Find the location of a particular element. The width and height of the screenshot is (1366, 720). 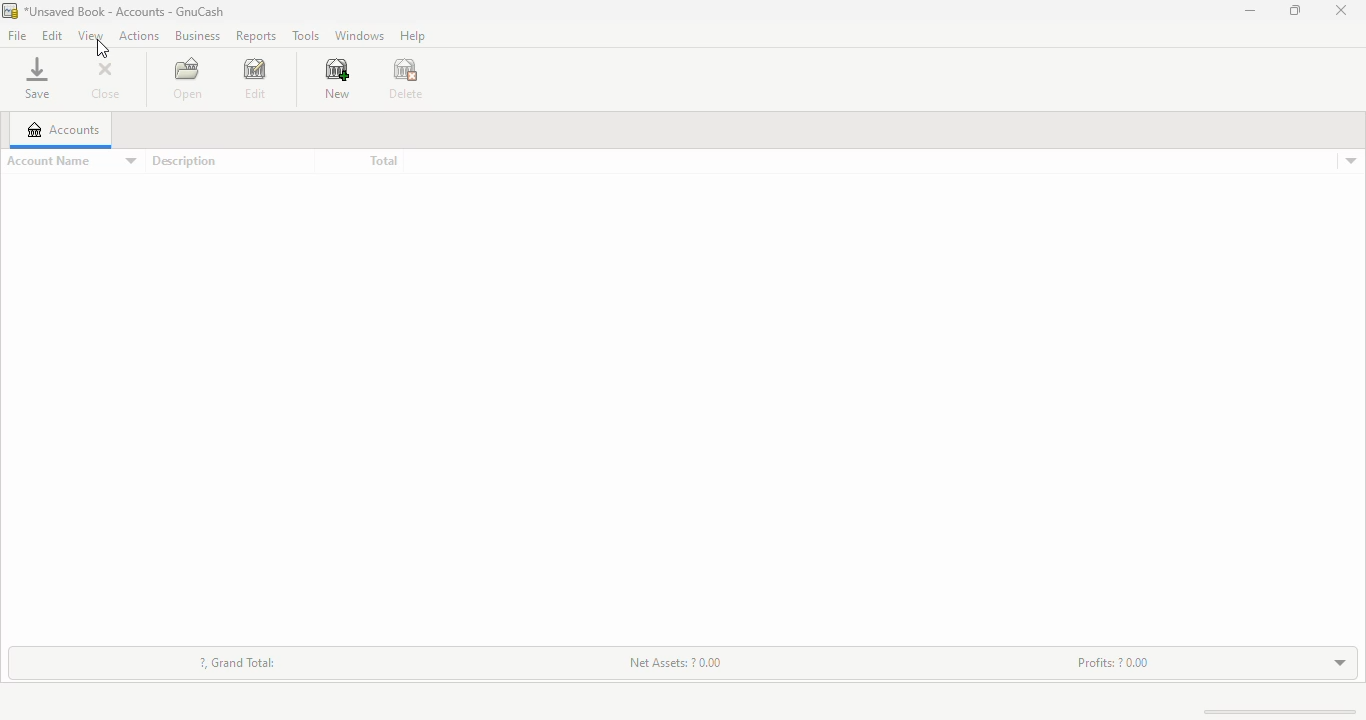

minimize is located at coordinates (1250, 10).